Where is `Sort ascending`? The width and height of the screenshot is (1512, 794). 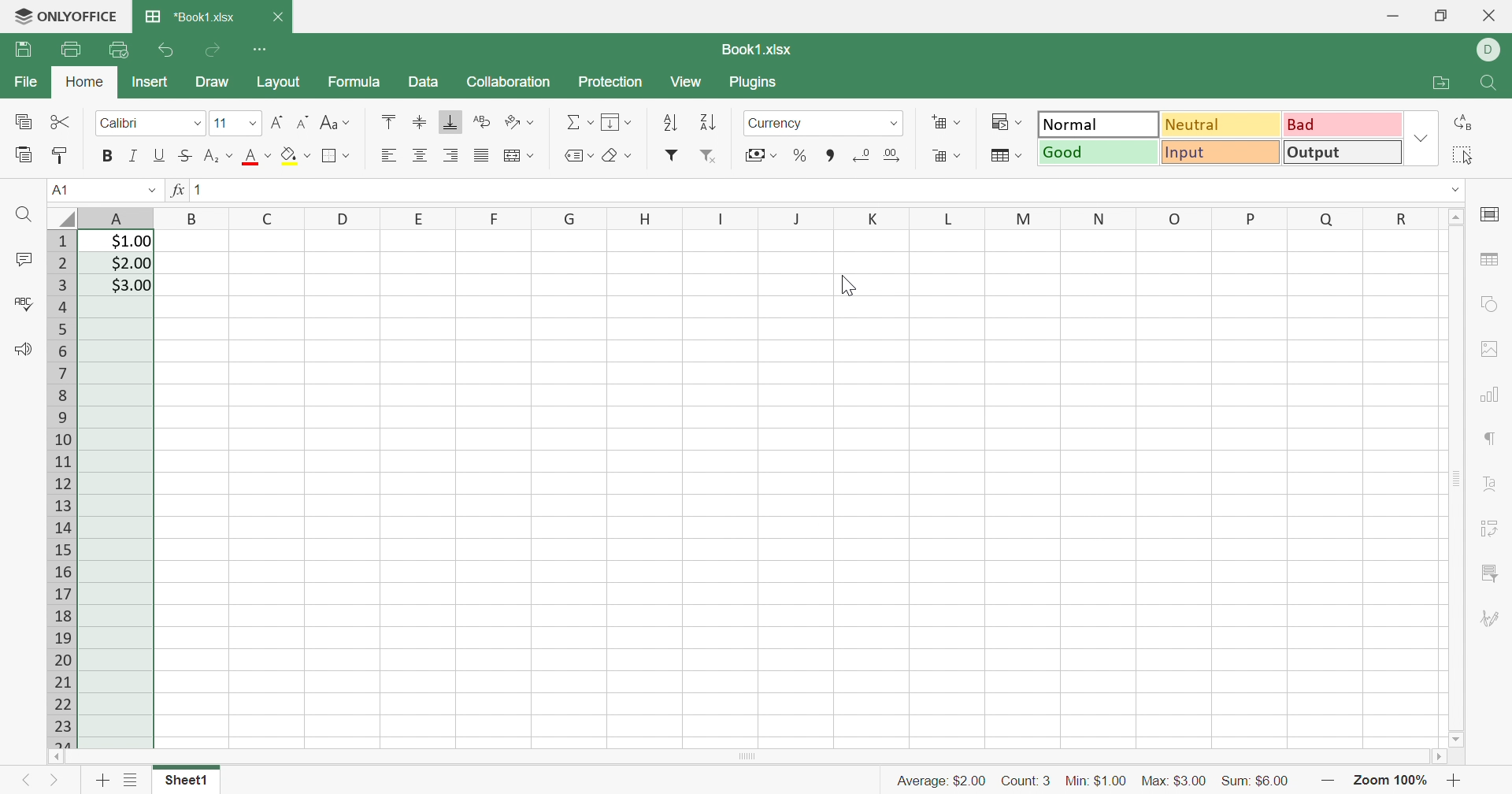
Sort ascending is located at coordinates (673, 123).